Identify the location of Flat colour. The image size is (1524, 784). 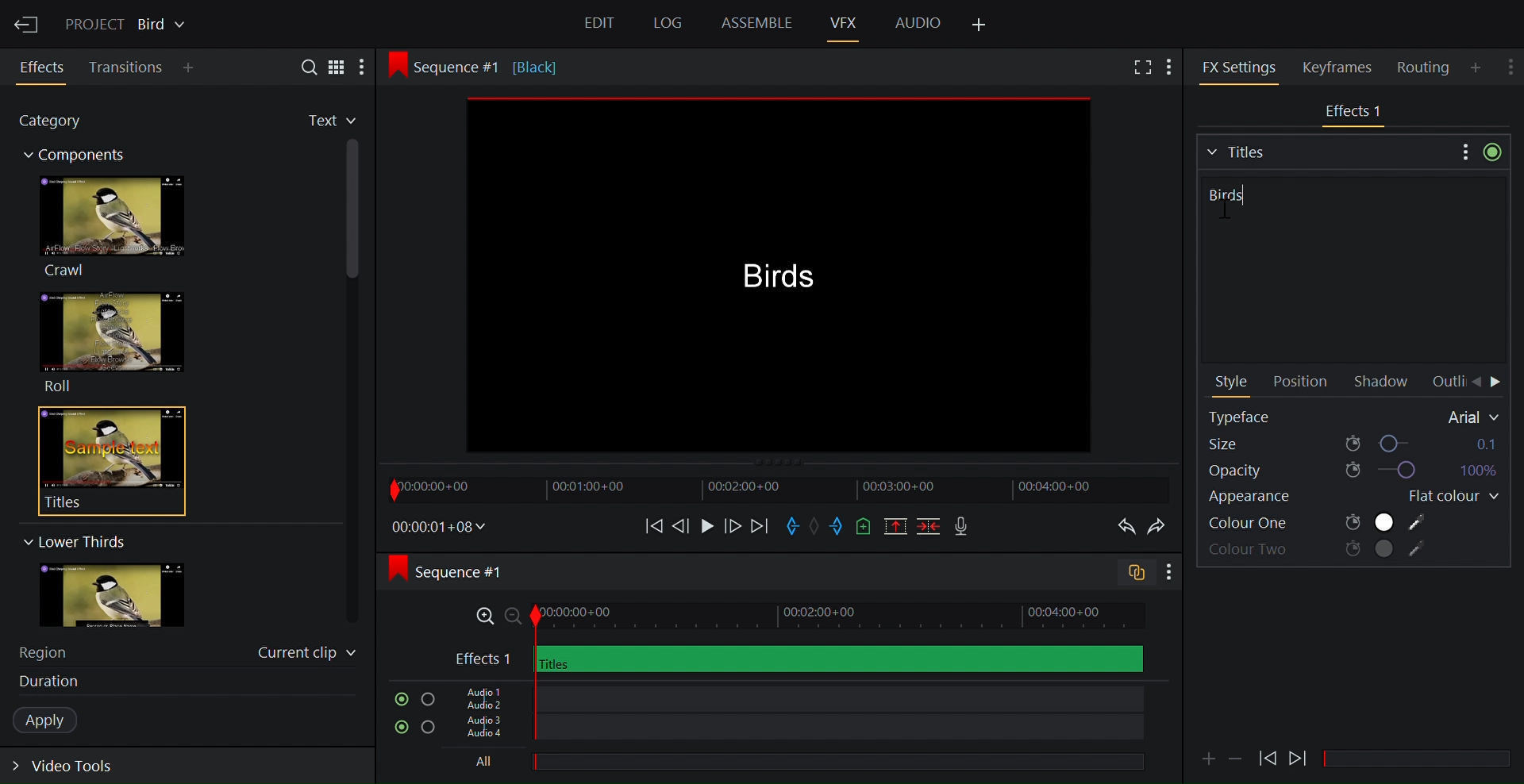
(1447, 497).